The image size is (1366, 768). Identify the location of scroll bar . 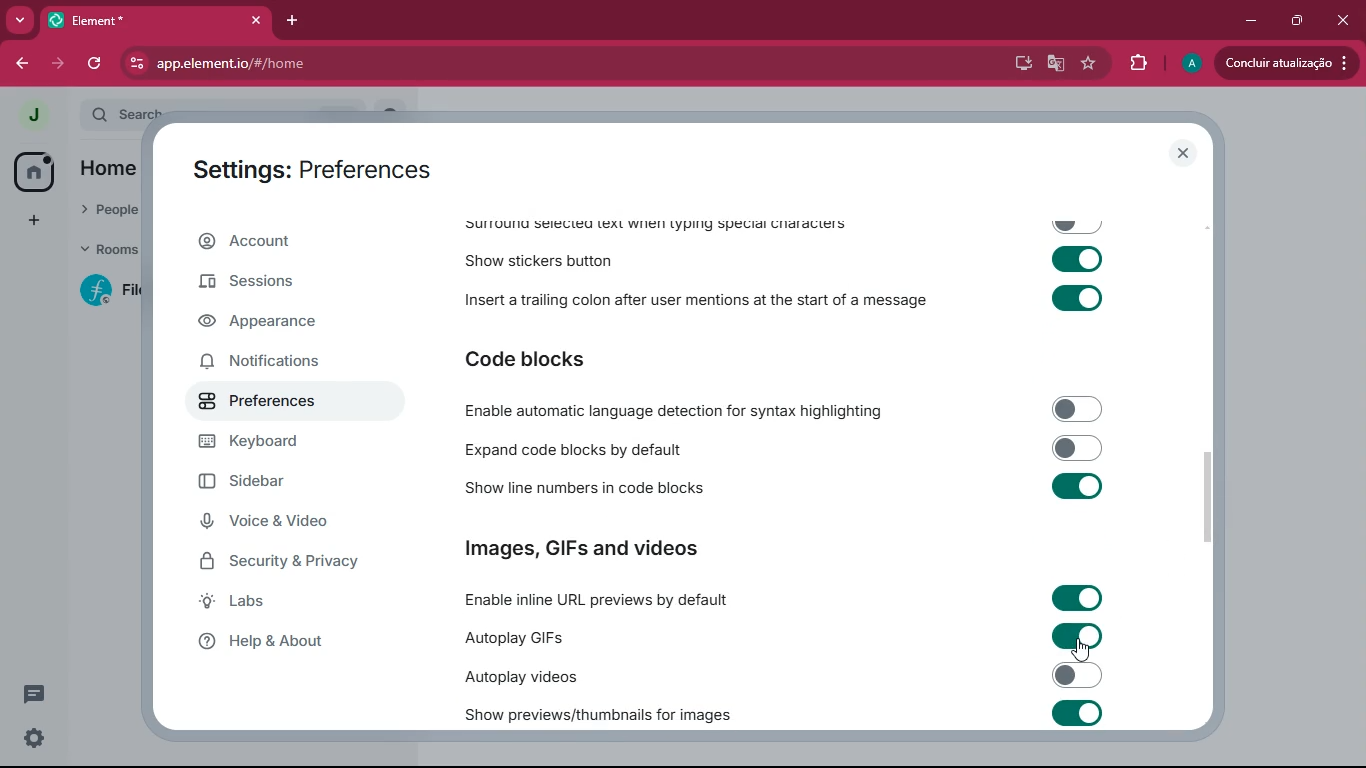
(1213, 492).